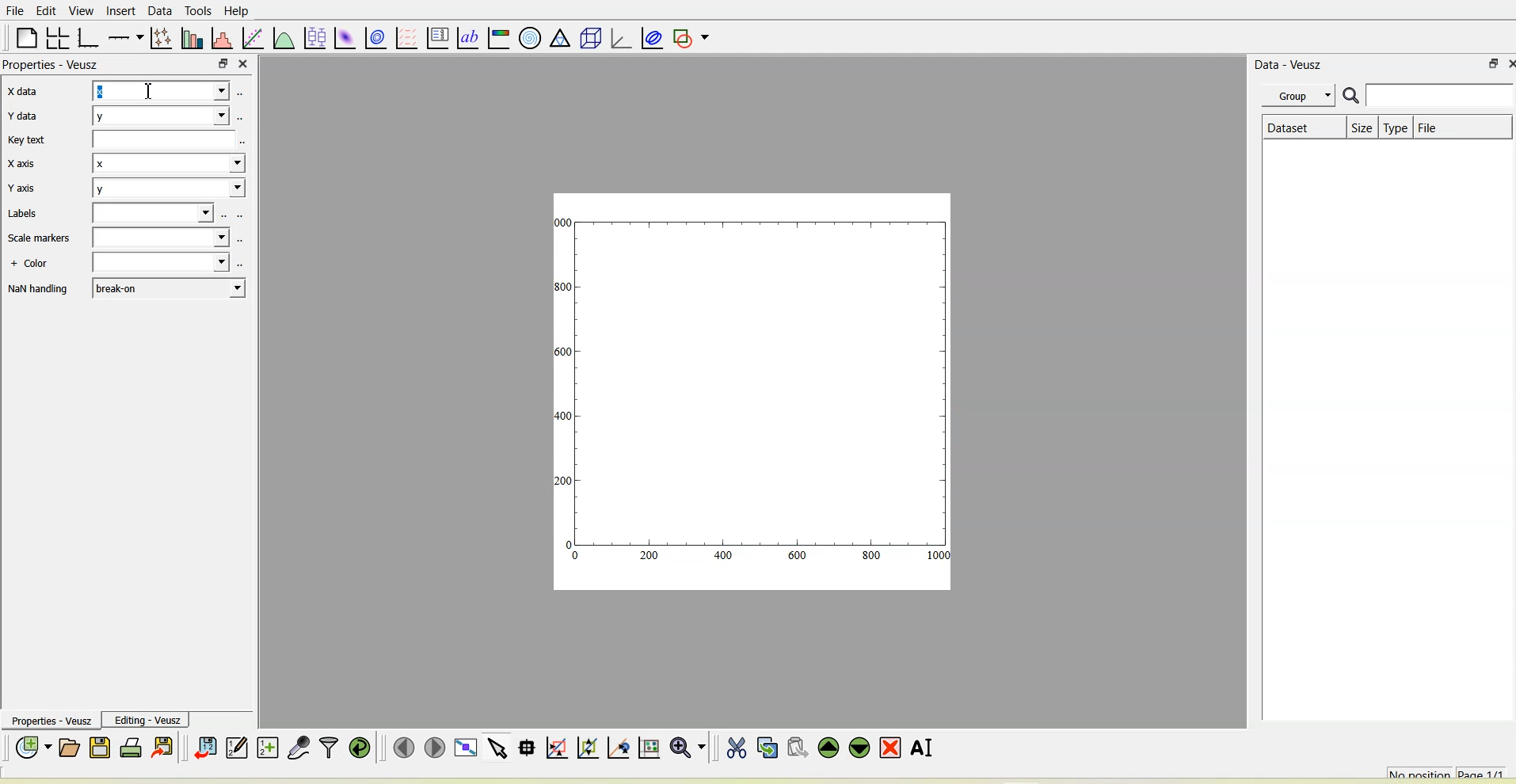 The image size is (1516, 784). What do you see at coordinates (498, 748) in the screenshot?
I see `Select items from the graph or scroll` at bounding box center [498, 748].